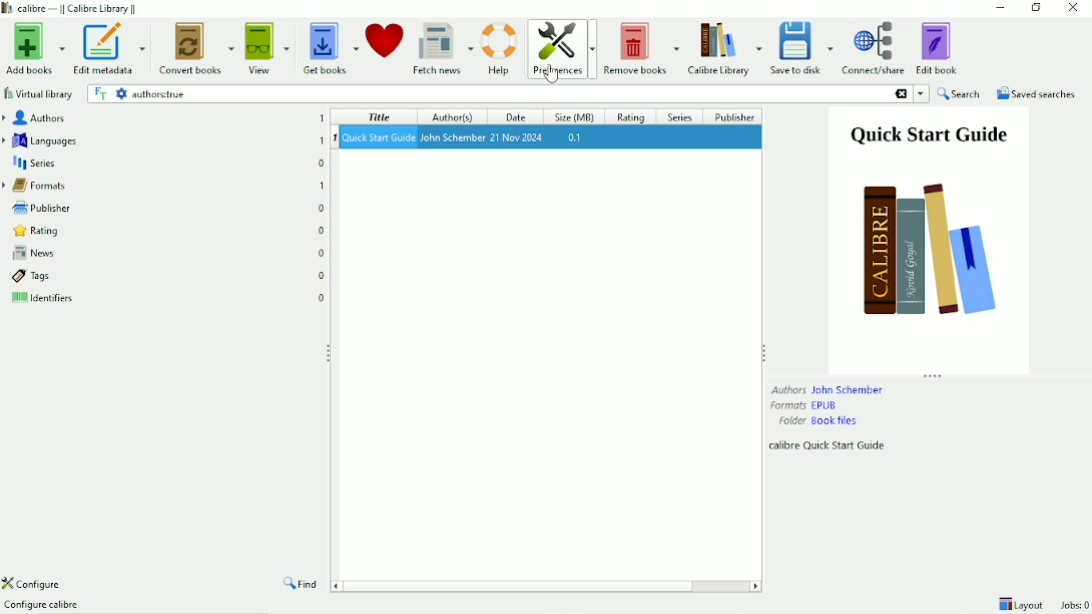  Describe the element at coordinates (165, 299) in the screenshot. I see `Identifiers` at that location.